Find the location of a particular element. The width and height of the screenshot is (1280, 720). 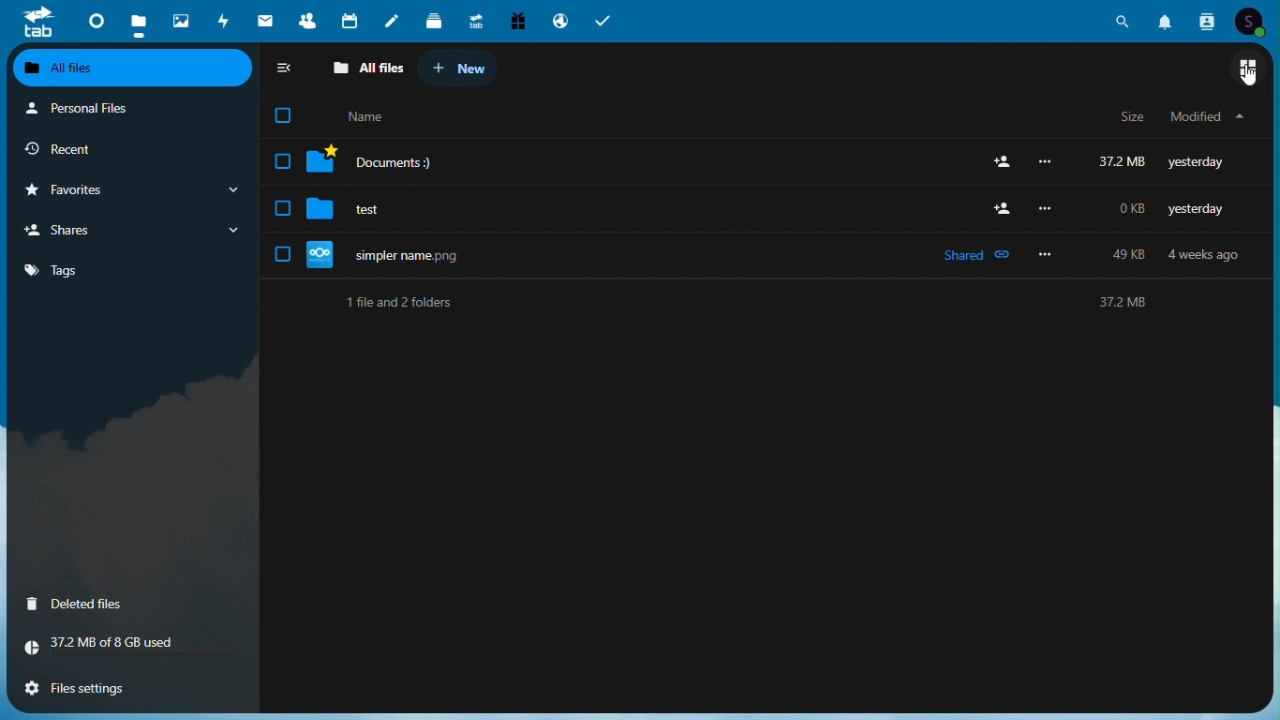

Deleted files is located at coordinates (78, 604).